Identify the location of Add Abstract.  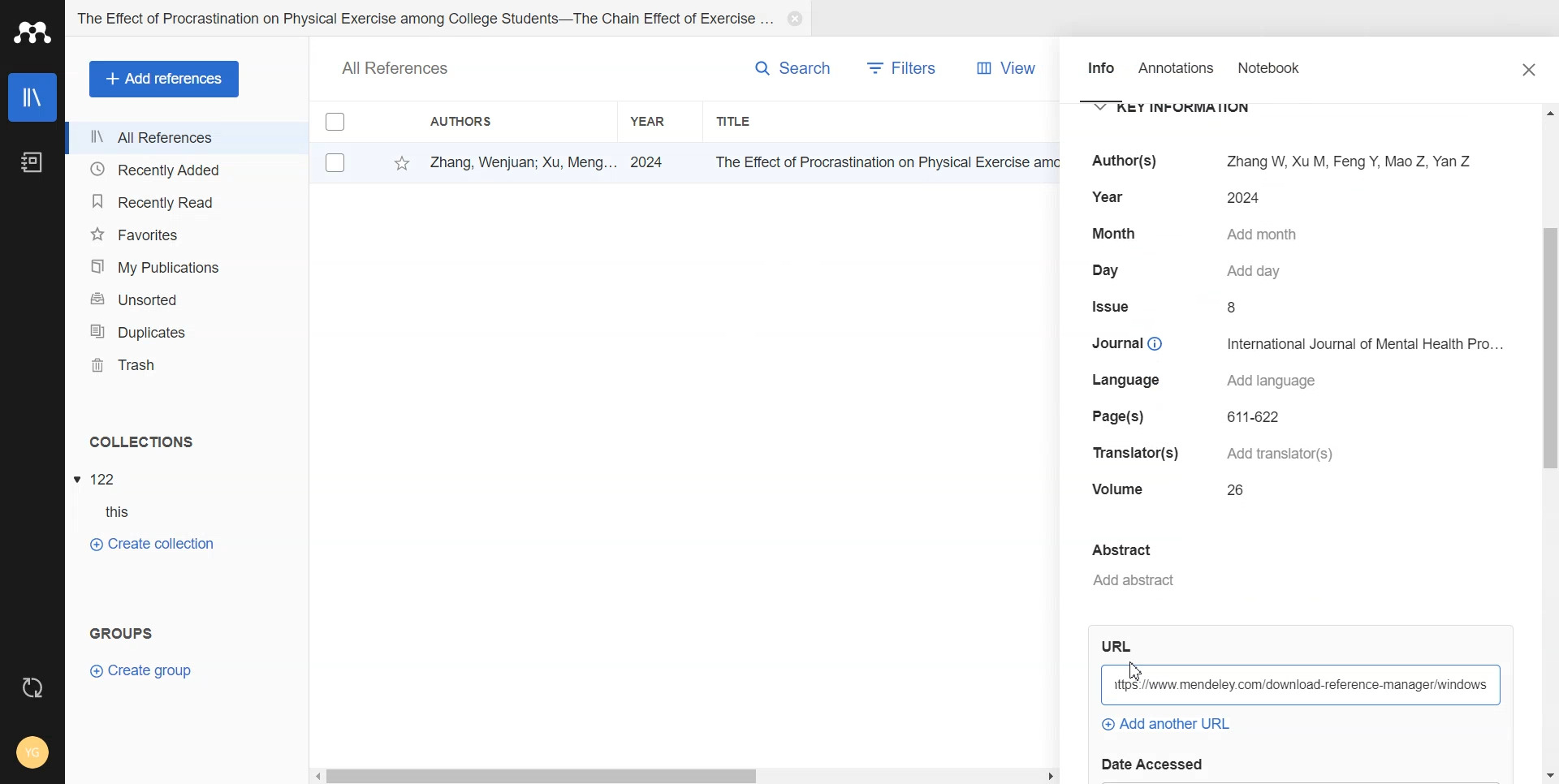
(1268, 566).